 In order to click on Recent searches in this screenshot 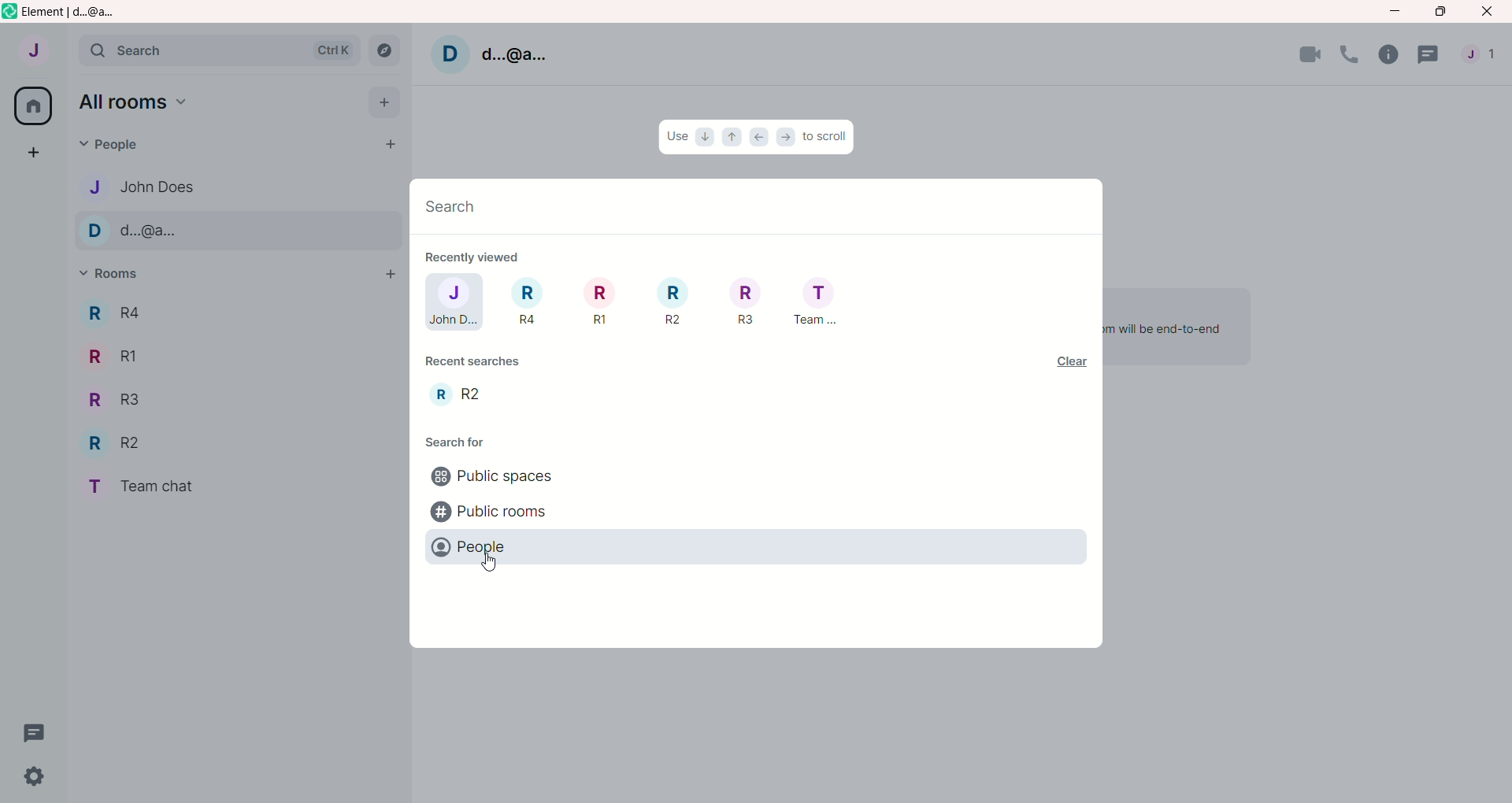, I will do `click(475, 361)`.